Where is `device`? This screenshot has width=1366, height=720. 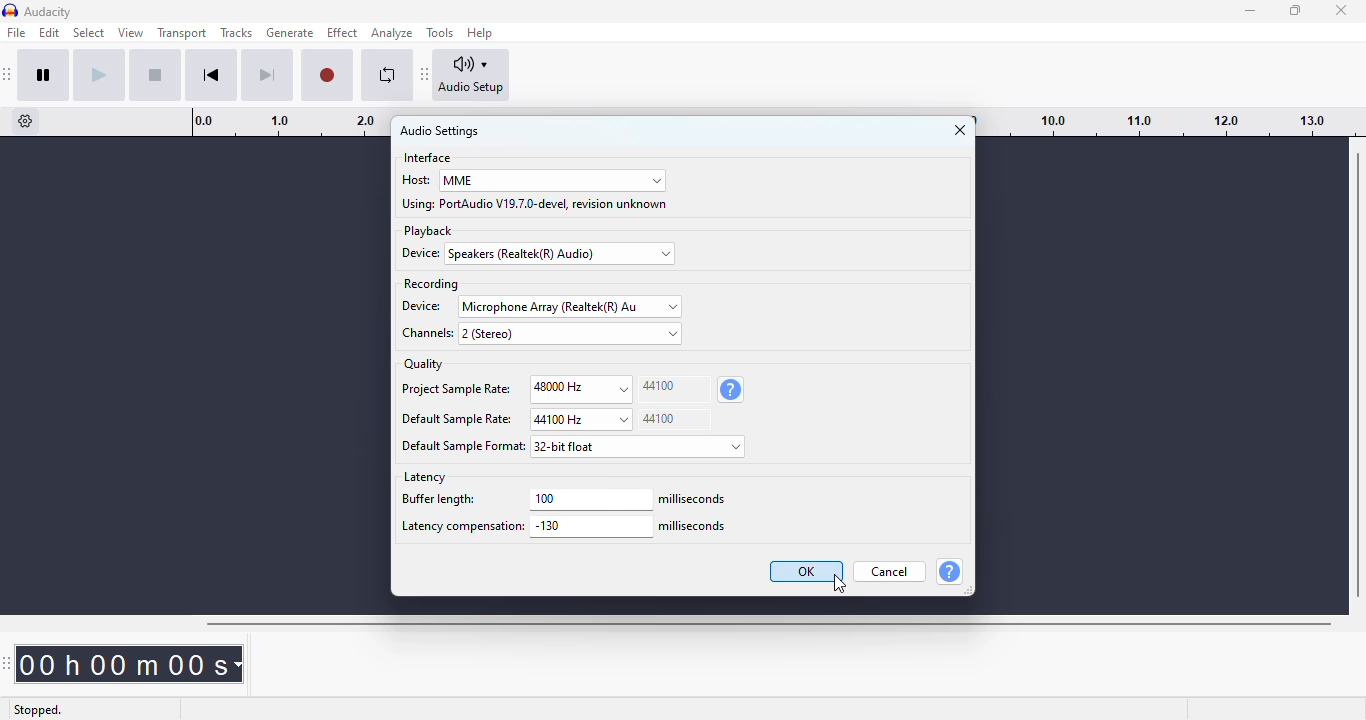
device is located at coordinates (424, 253).